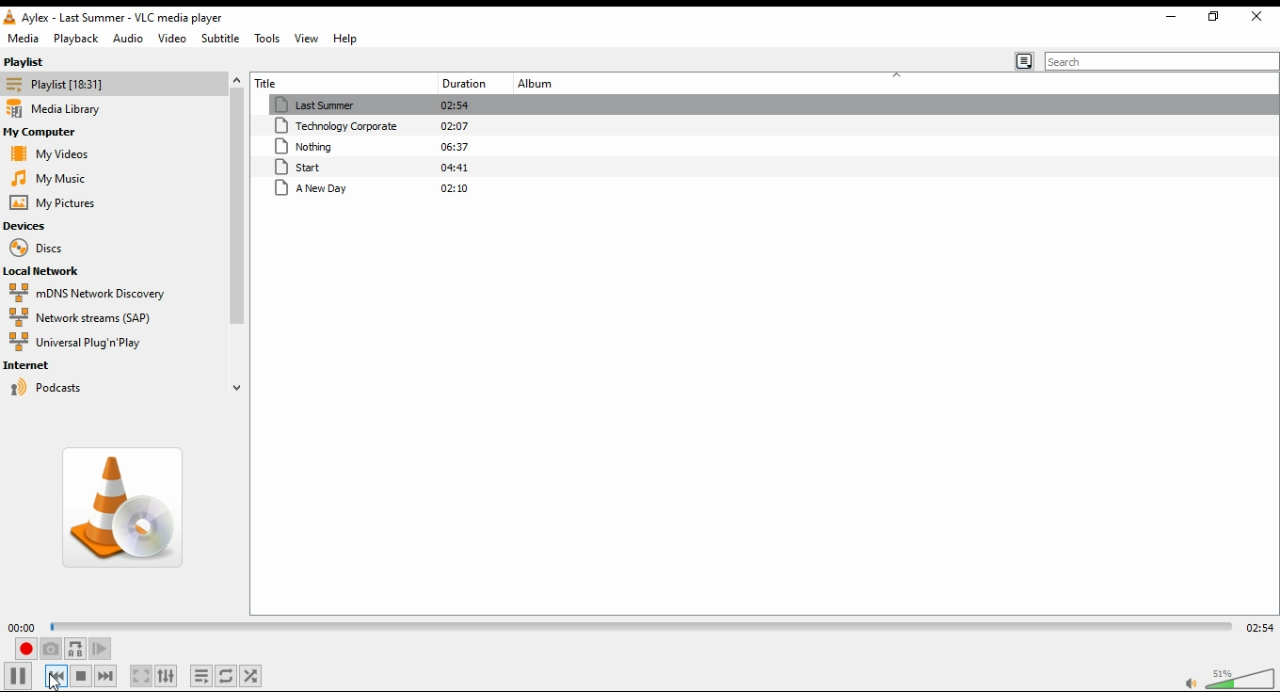  Describe the element at coordinates (79, 343) in the screenshot. I see `universal plug 'n play` at that location.